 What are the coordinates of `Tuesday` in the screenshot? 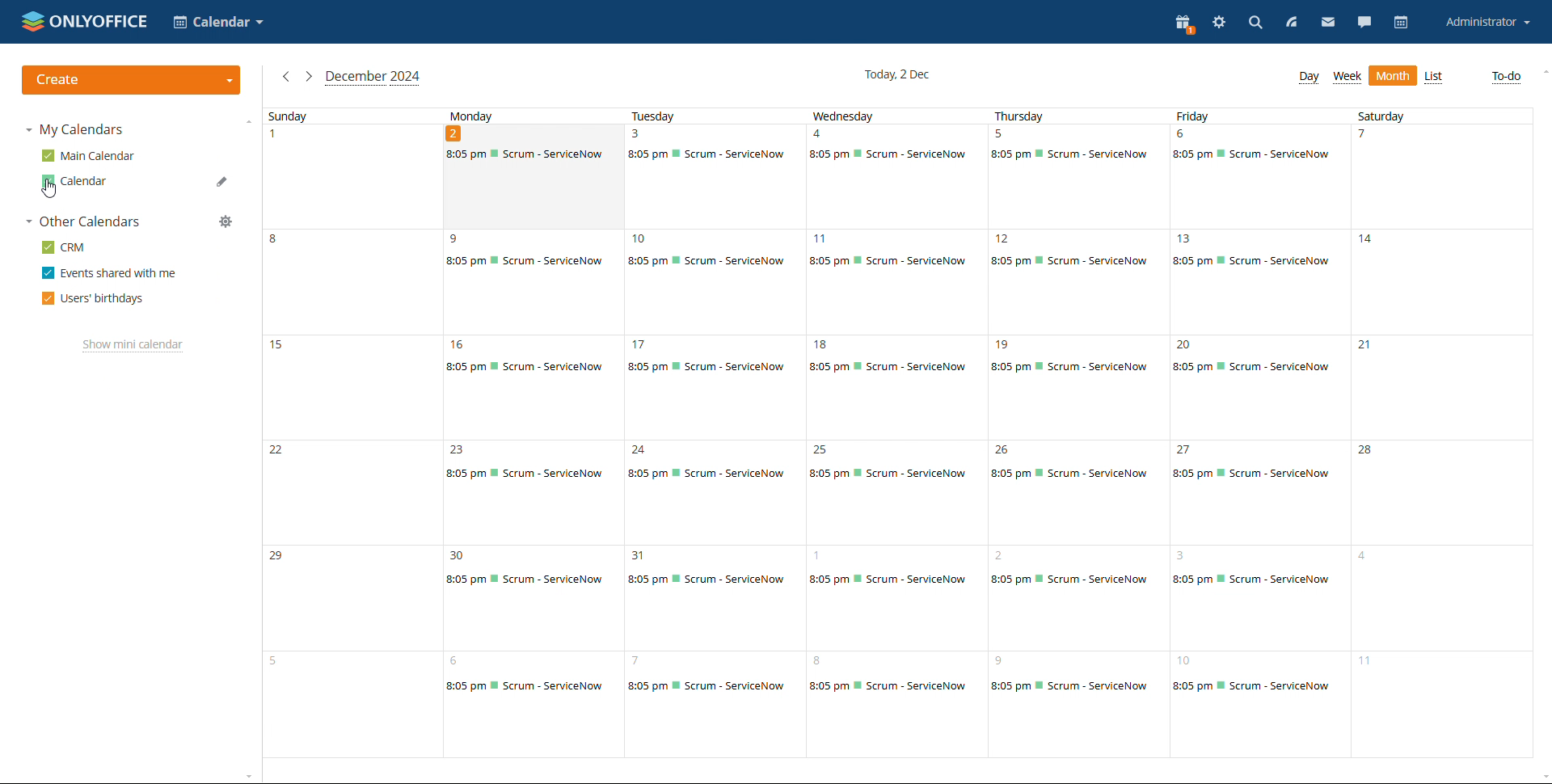 It's located at (713, 433).